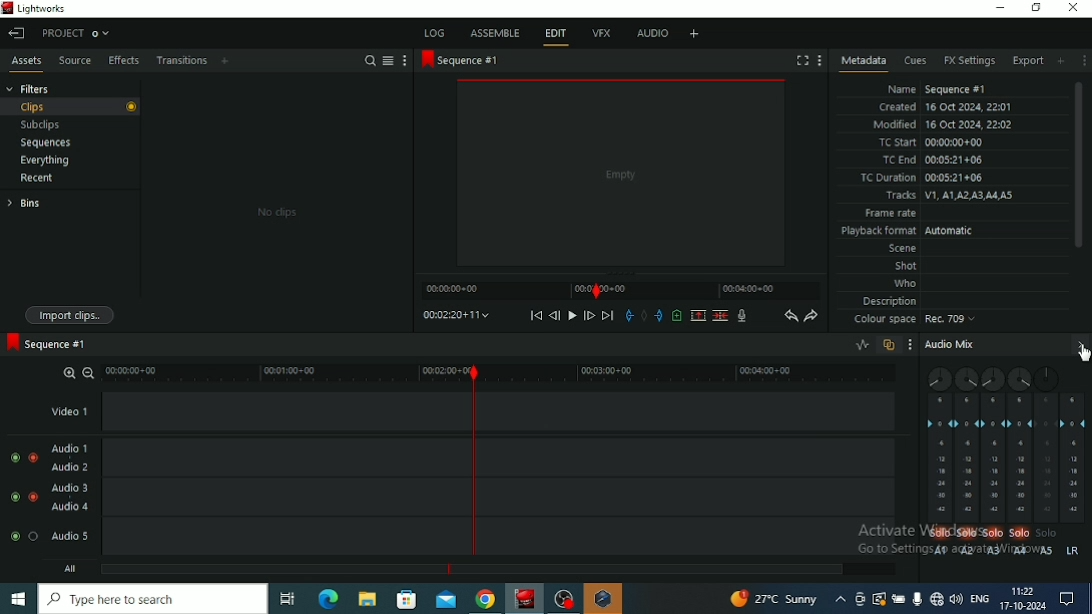 The height and width of the screenshot is (614, 1092). Describe the element at coordinates (992, 379) in the screenshot. I see `Adjust` at that location.